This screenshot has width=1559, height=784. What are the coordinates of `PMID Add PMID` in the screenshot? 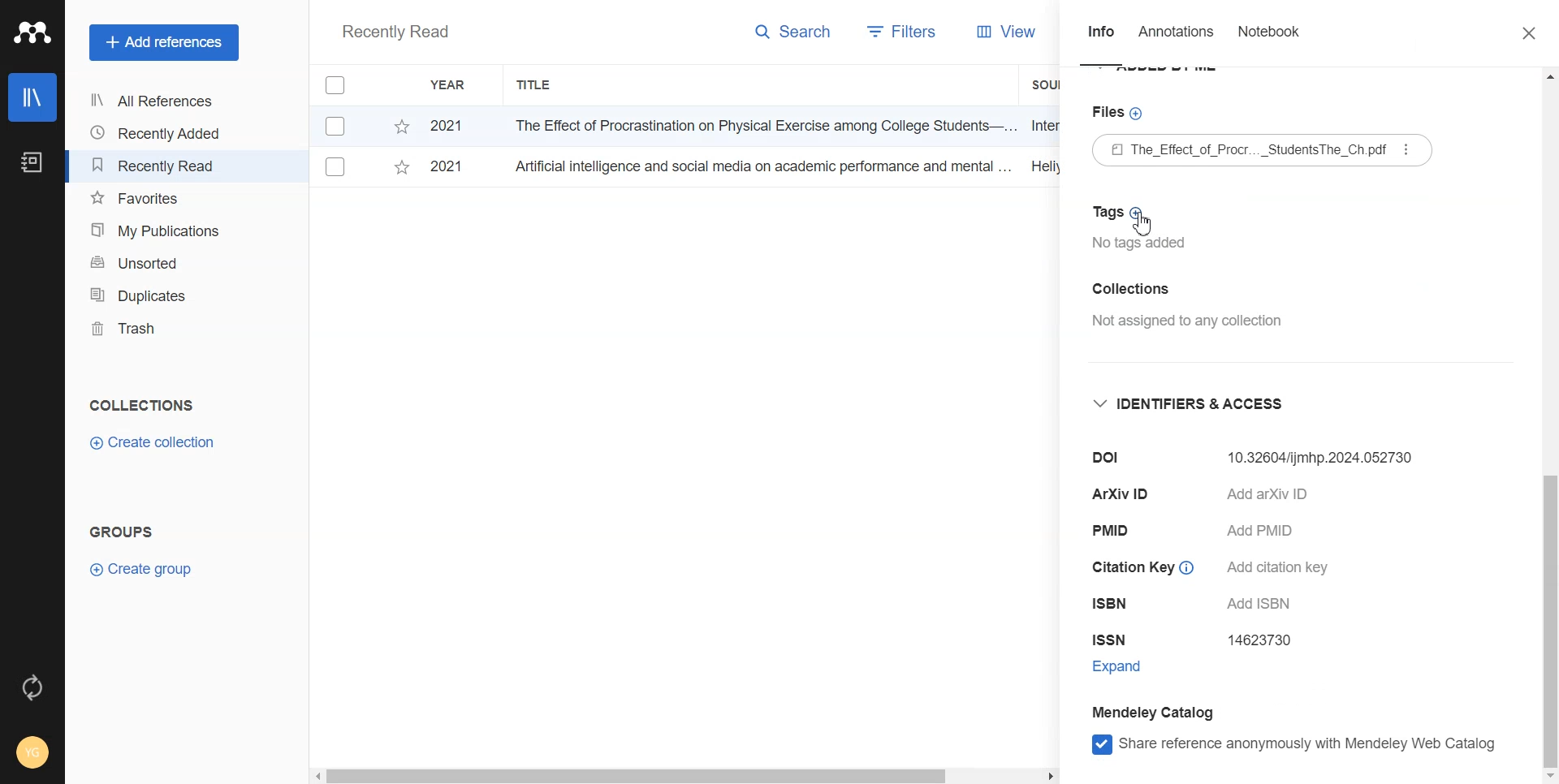 It's located at (1200, 533).